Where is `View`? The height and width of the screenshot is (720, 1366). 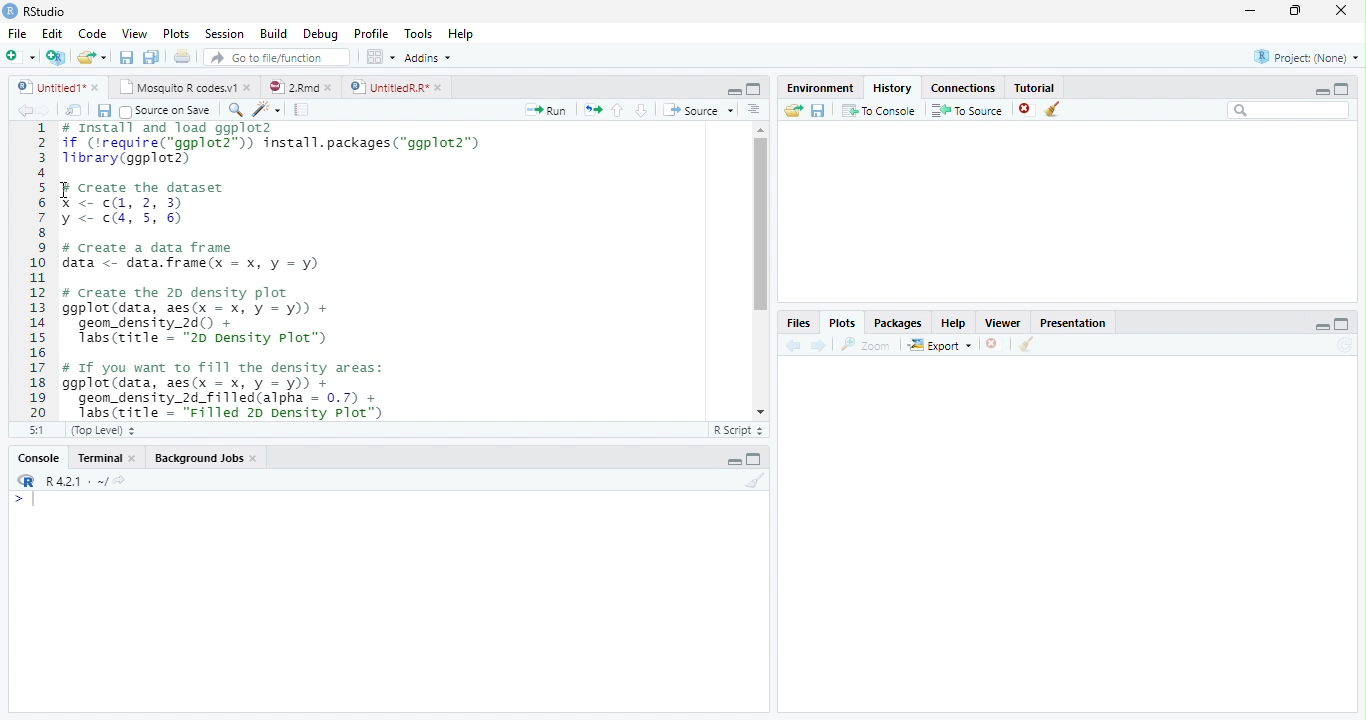 View is located at coordinates (134, 34).